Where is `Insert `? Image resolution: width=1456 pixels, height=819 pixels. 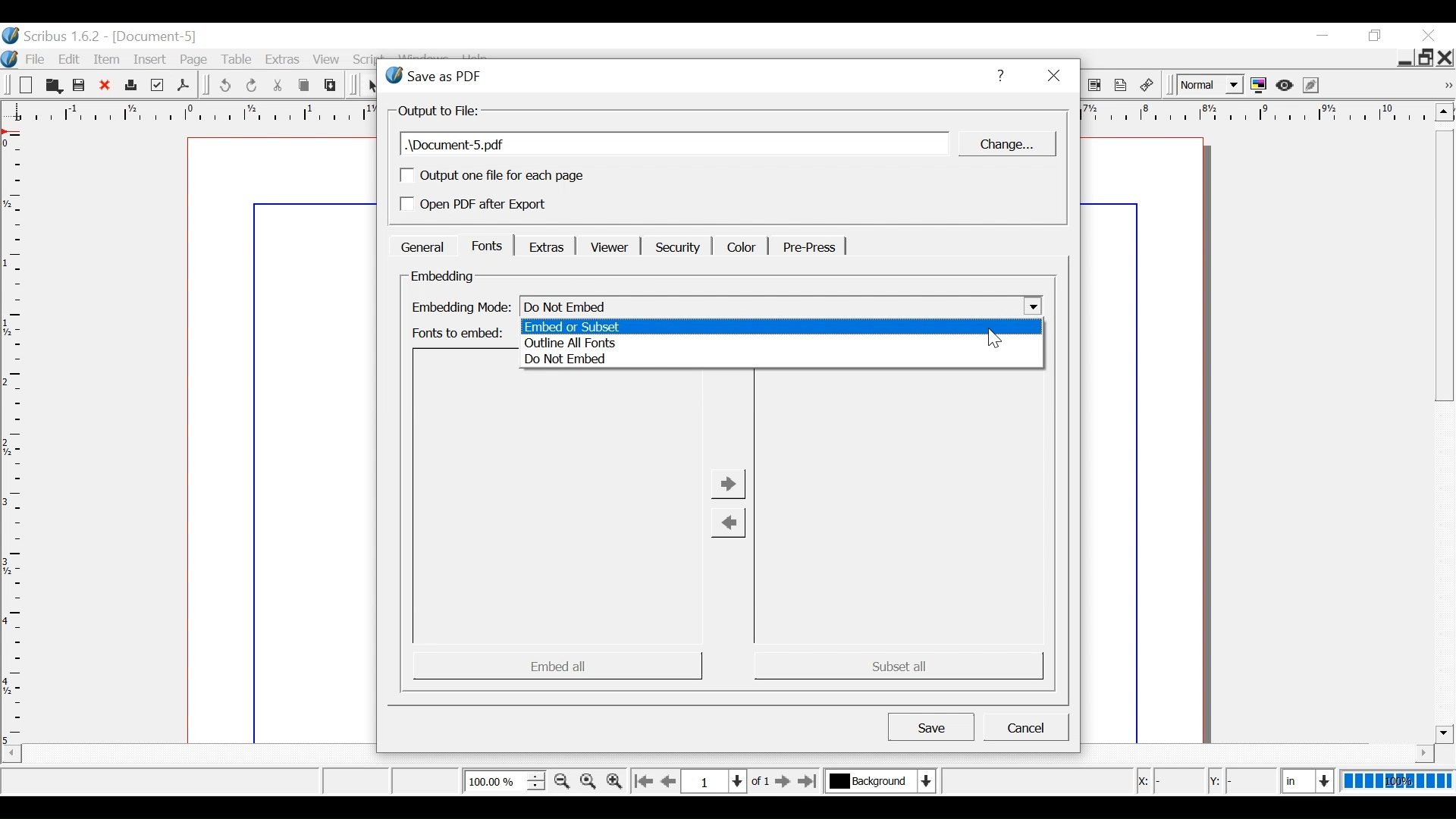 Insert  is located at coordinates (152, 60).